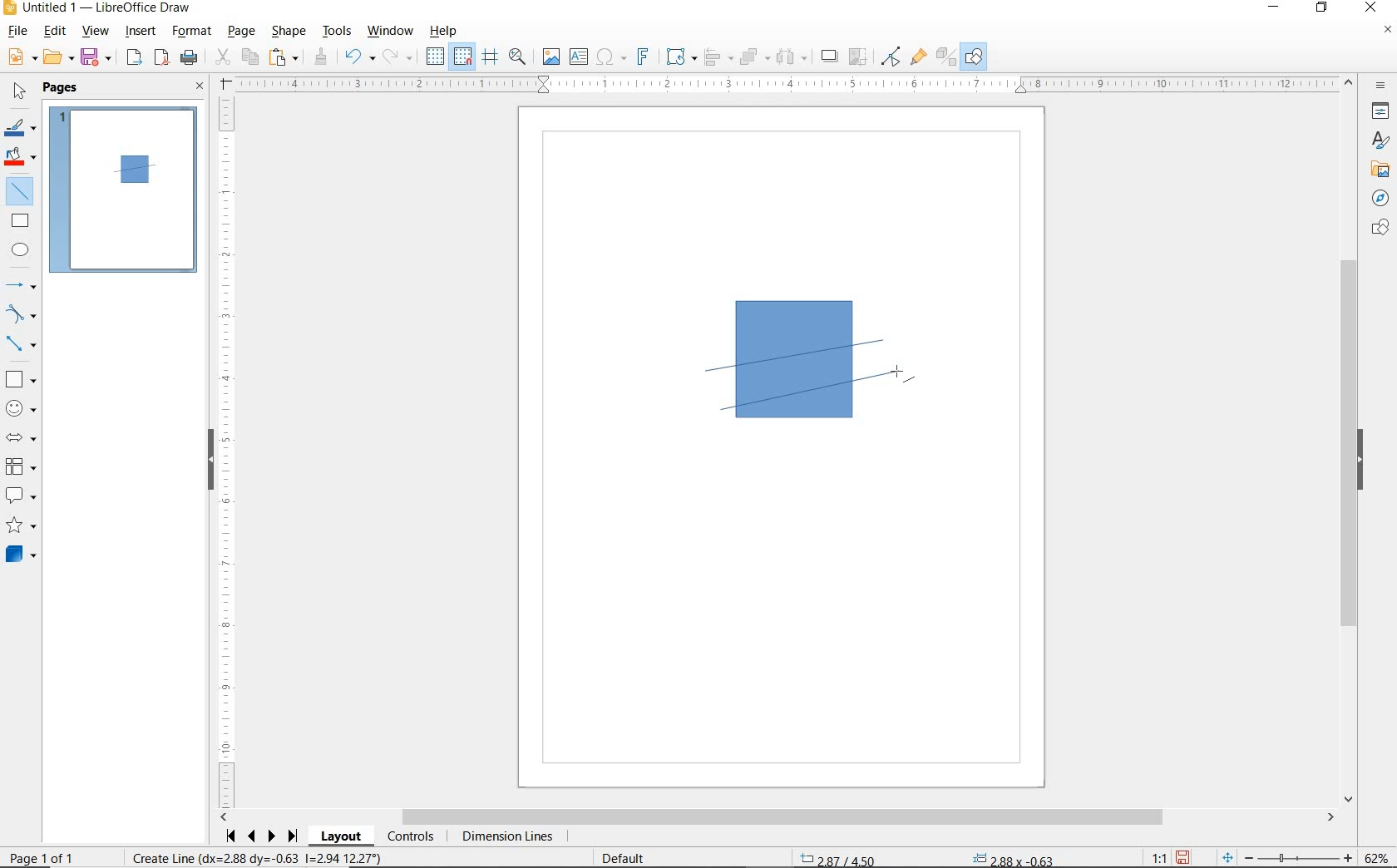  I want to click on SAVE, so click(1182, 857).